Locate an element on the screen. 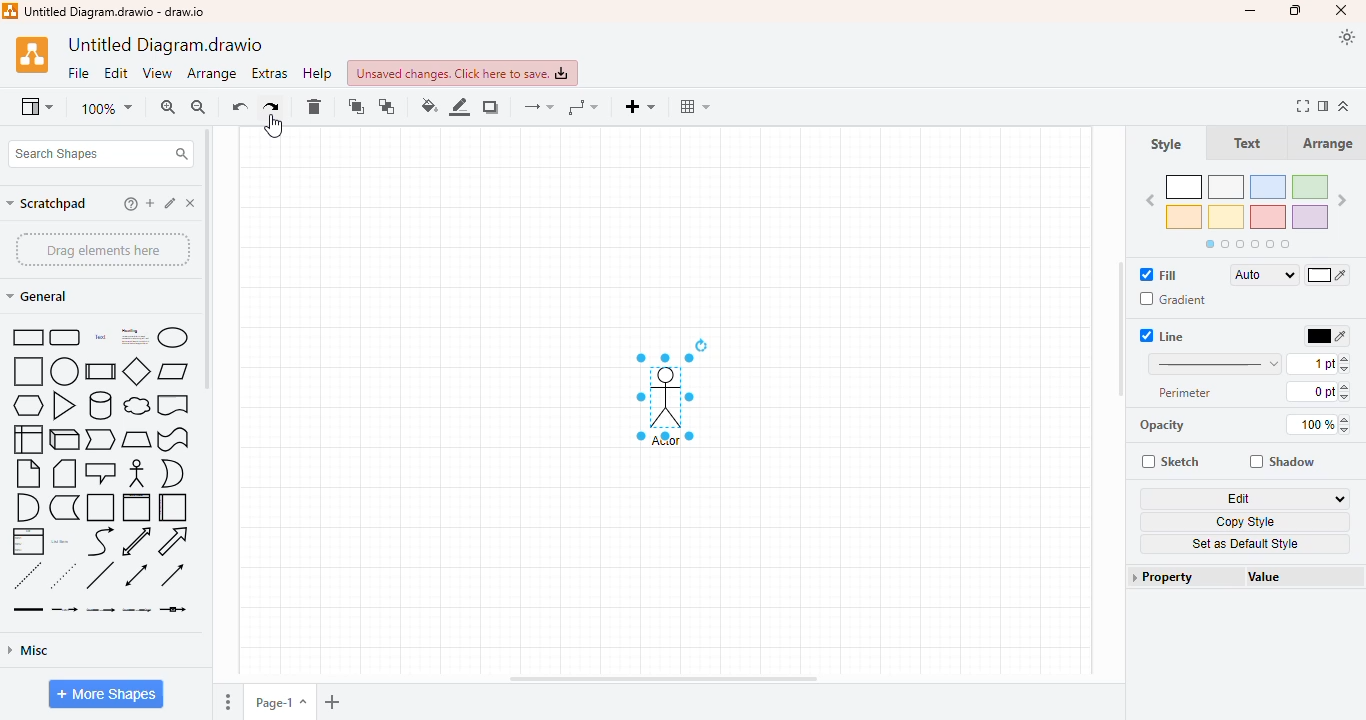  shape color is located at coordinates (1247, 210).